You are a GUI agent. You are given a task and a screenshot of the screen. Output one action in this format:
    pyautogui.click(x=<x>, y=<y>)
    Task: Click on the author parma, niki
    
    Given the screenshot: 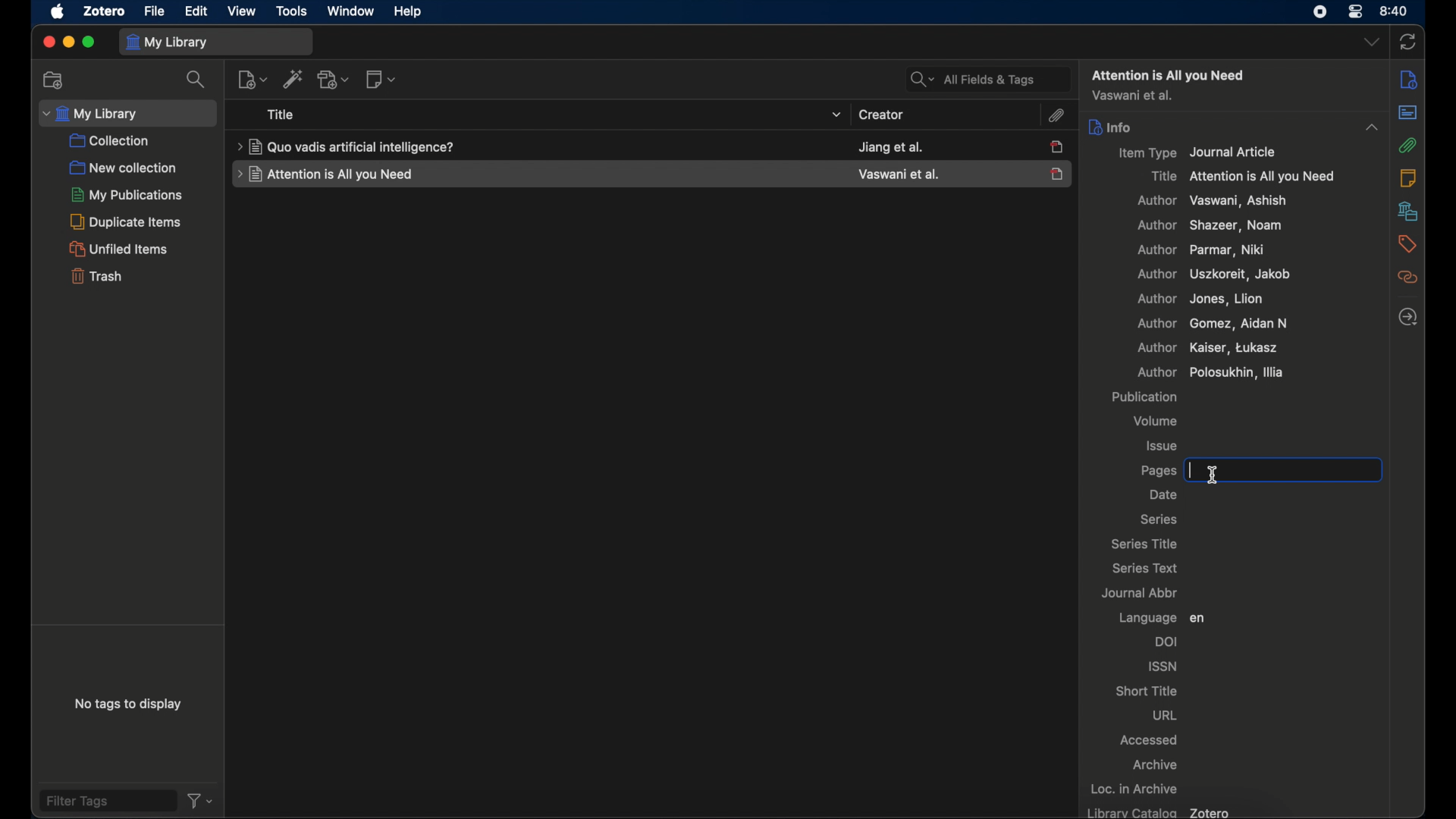 What is the action you would take?
    pyautogui.click(x=1207, y=250)
    